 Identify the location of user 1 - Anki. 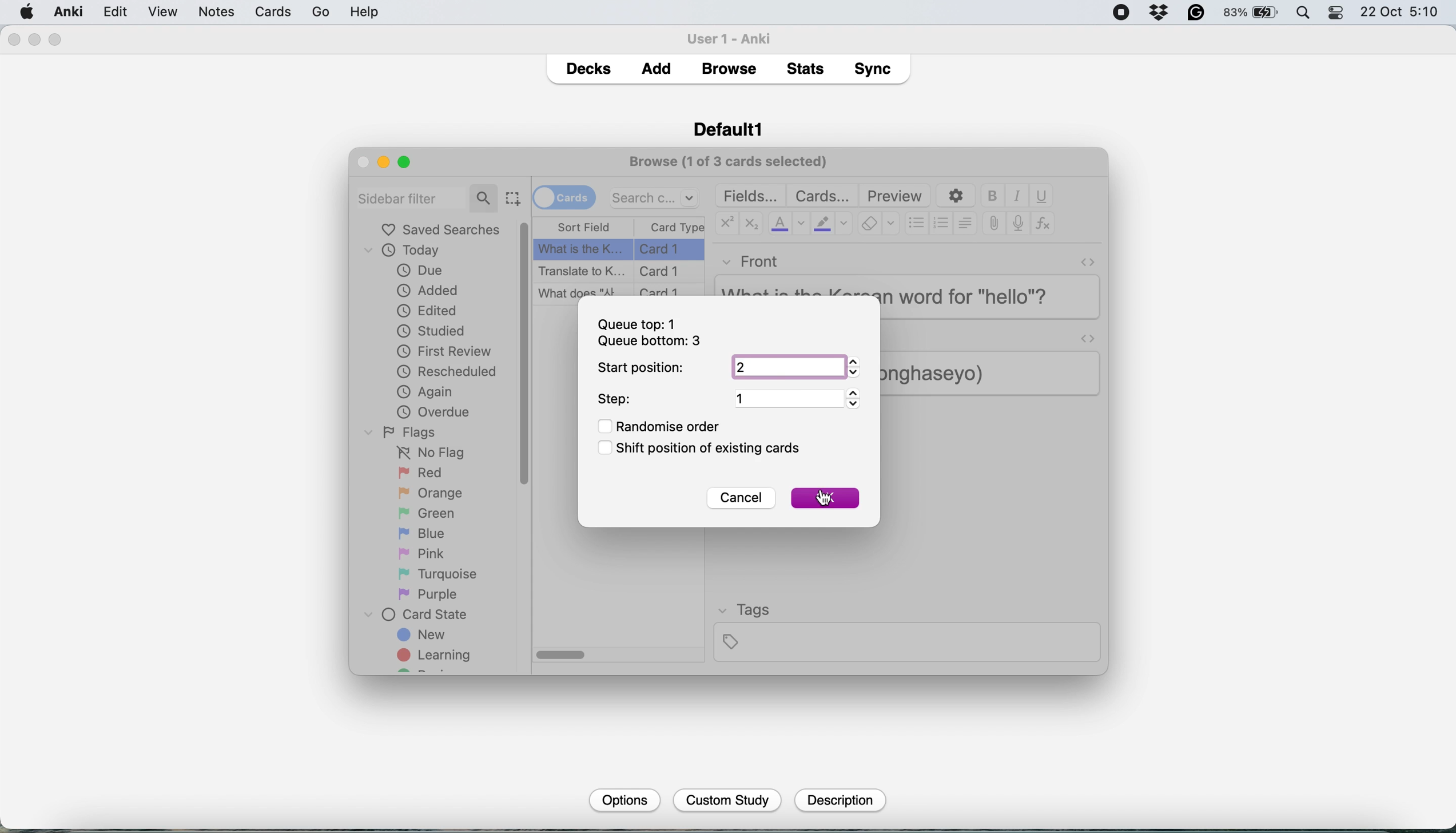
(735, 37).